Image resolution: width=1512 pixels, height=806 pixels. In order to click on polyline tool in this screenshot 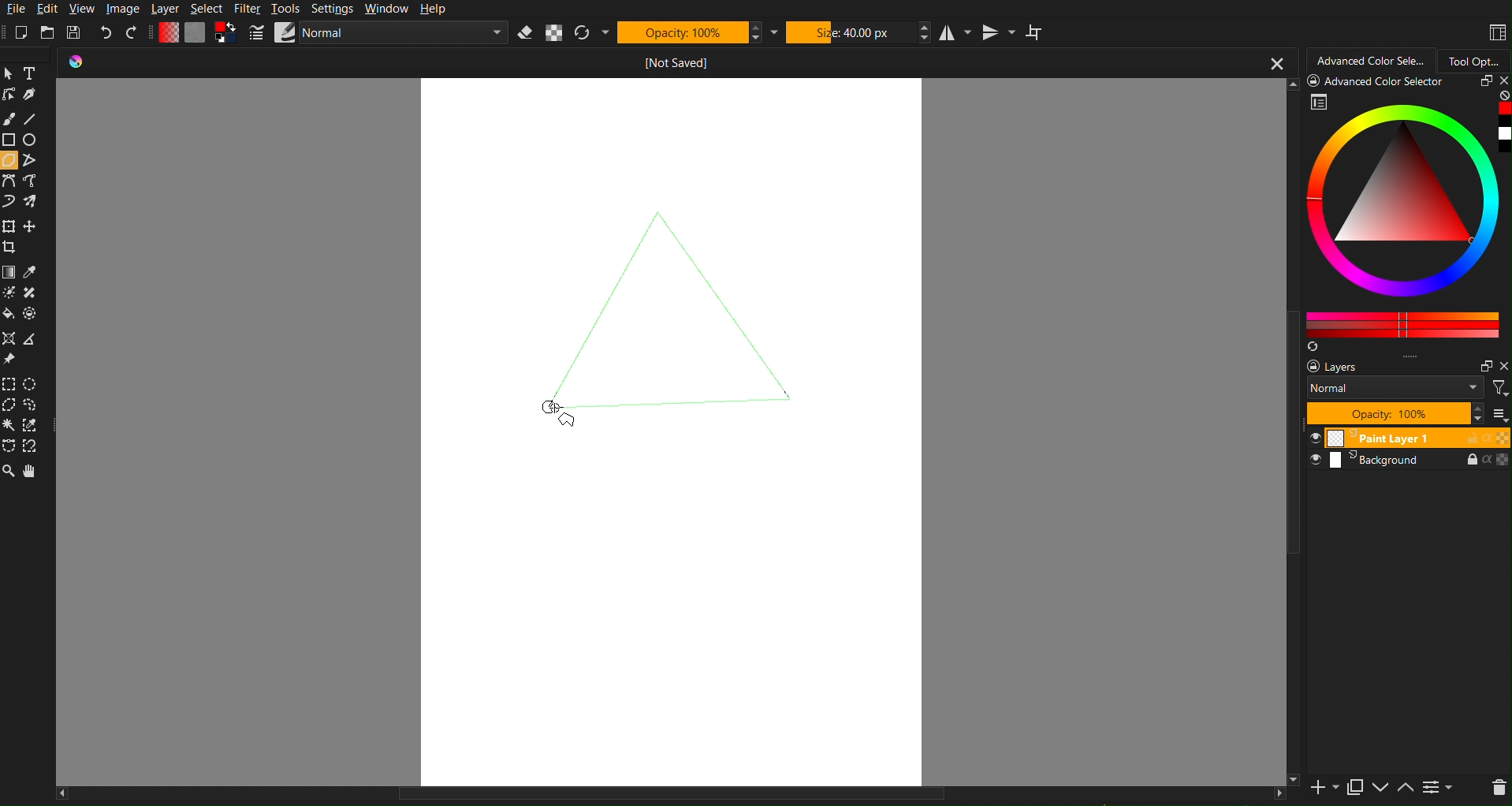, I will do `click(31, 162)`.